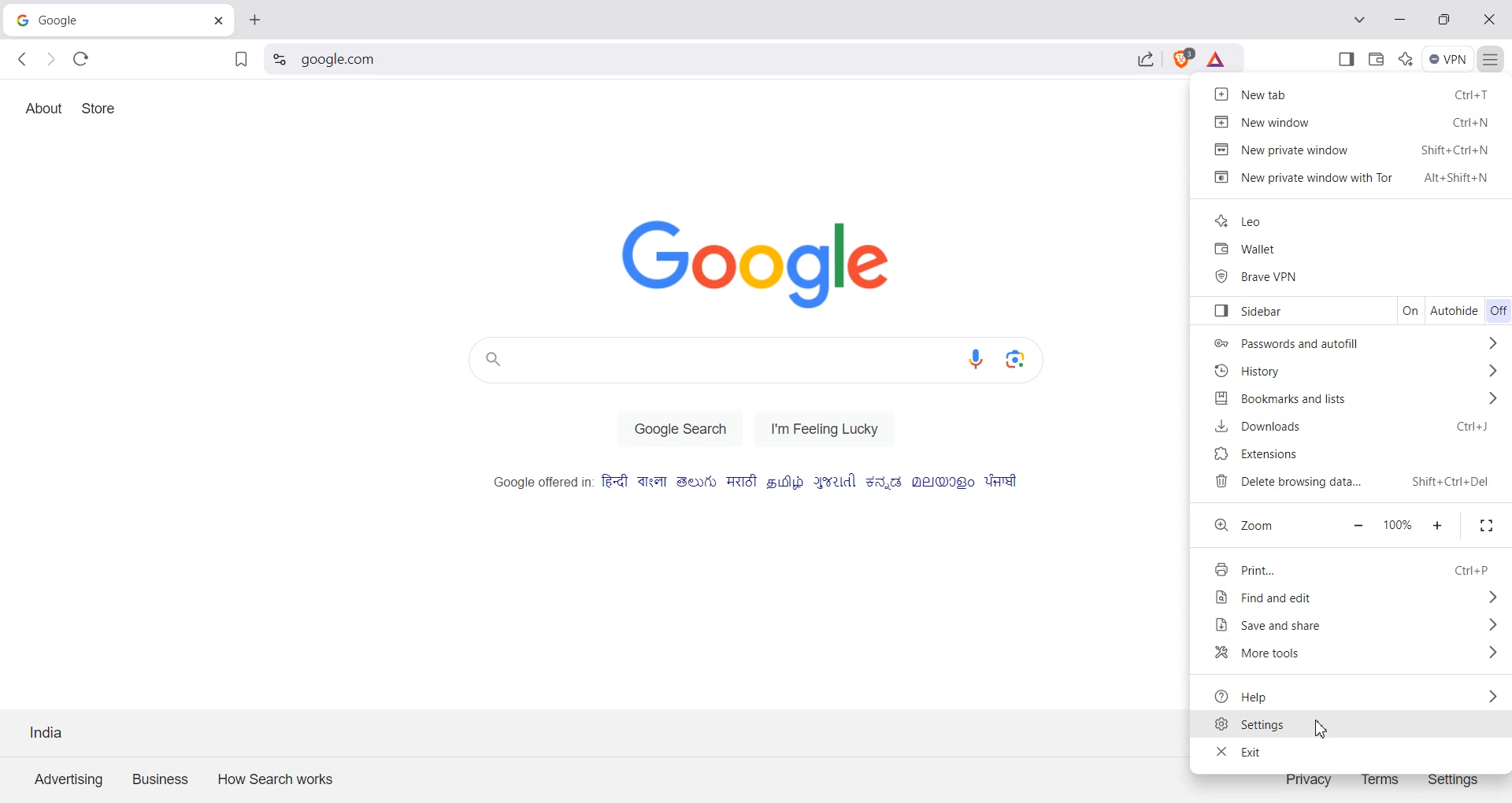  I want to click on Password and autofill, so click(1359, 341).